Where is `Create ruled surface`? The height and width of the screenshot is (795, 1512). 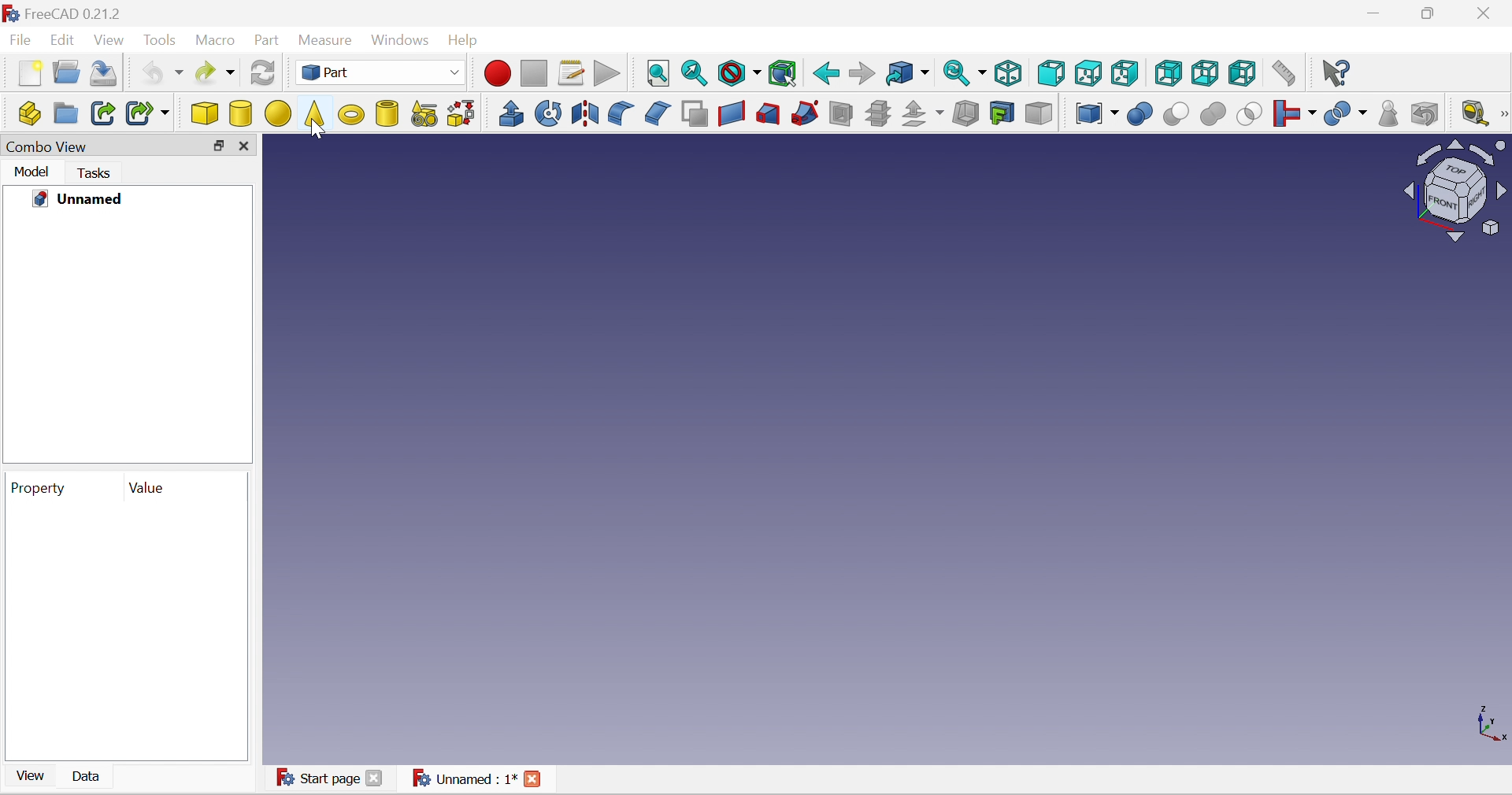 Create ruled surface is located at coordinates (732, 113).